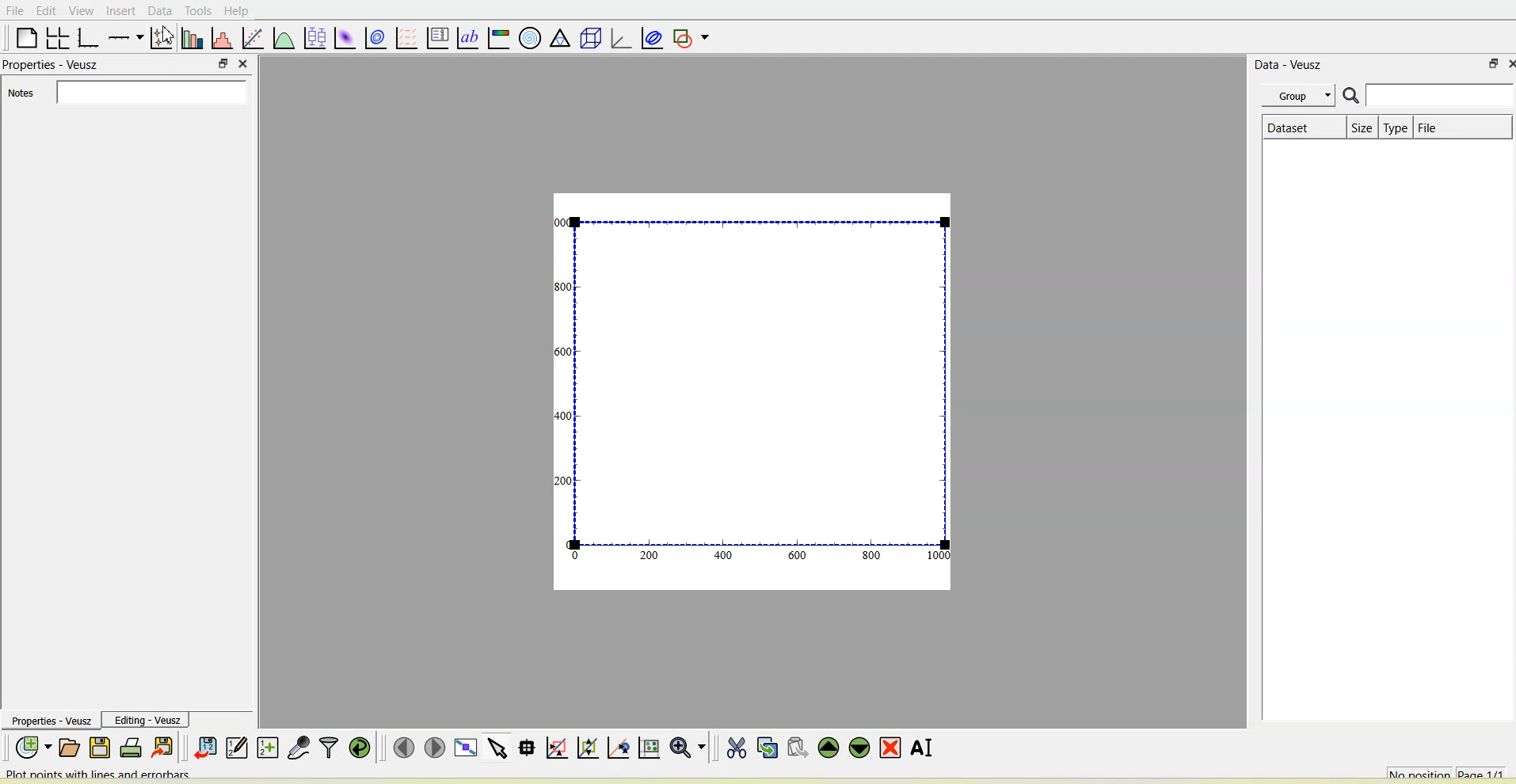 This screenshot has width=1516, height=784. Describe the element at coordinates (59, 64) in the screenshot. I see `Properties - Veusz` at that location.